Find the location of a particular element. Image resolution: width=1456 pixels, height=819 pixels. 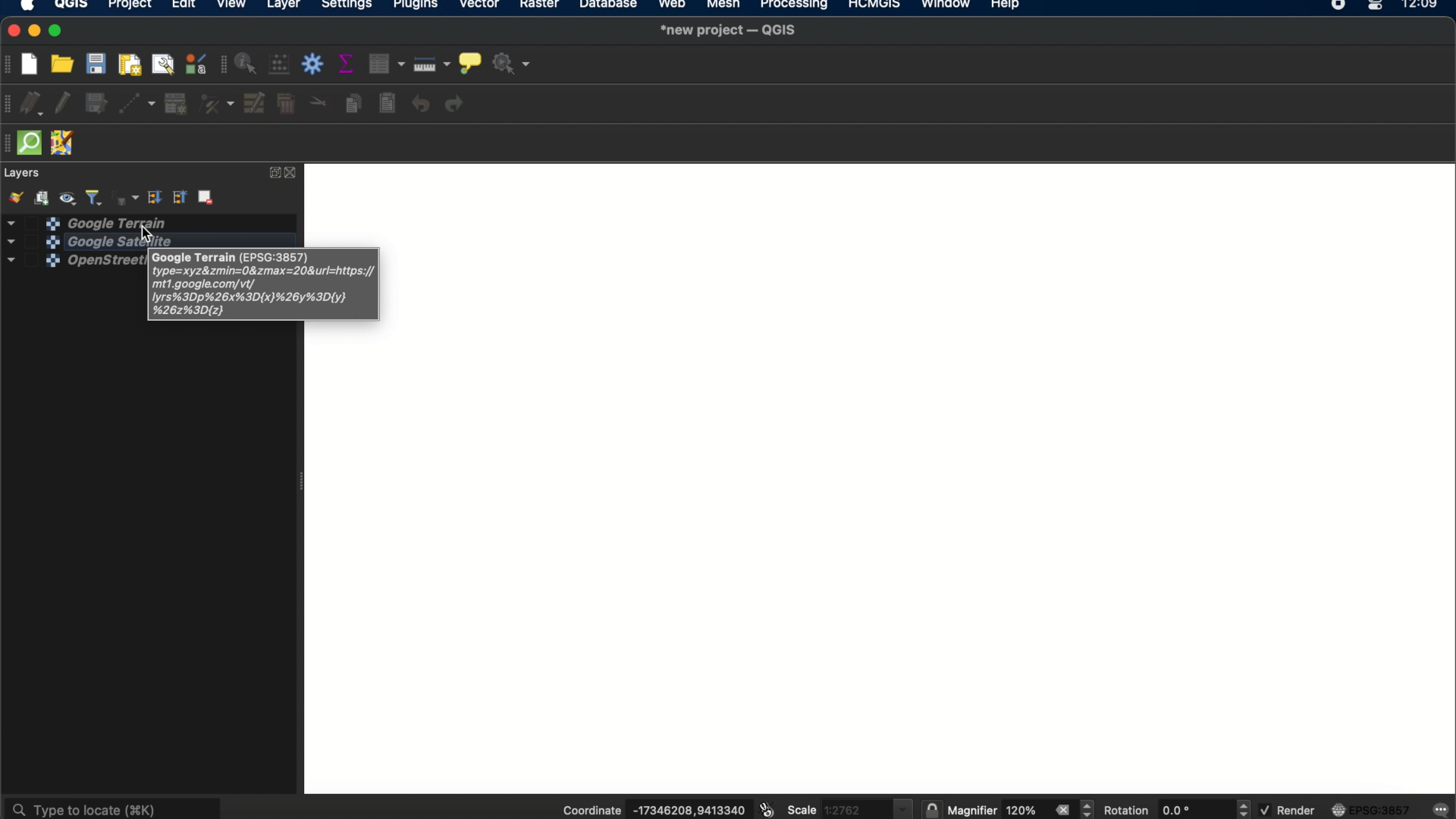

current edits is located at coordinates (36, 105).